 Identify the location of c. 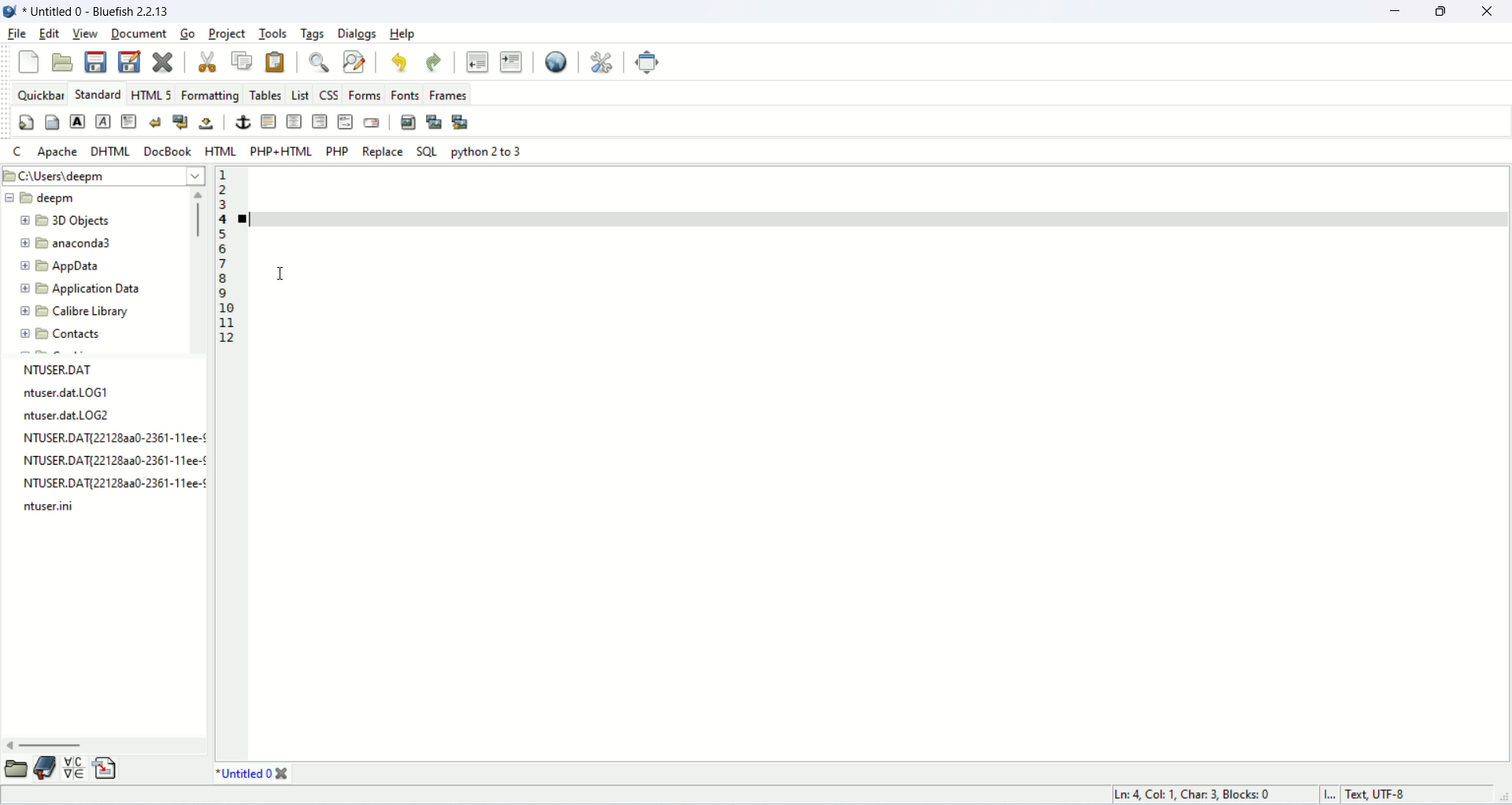
(15, 150).